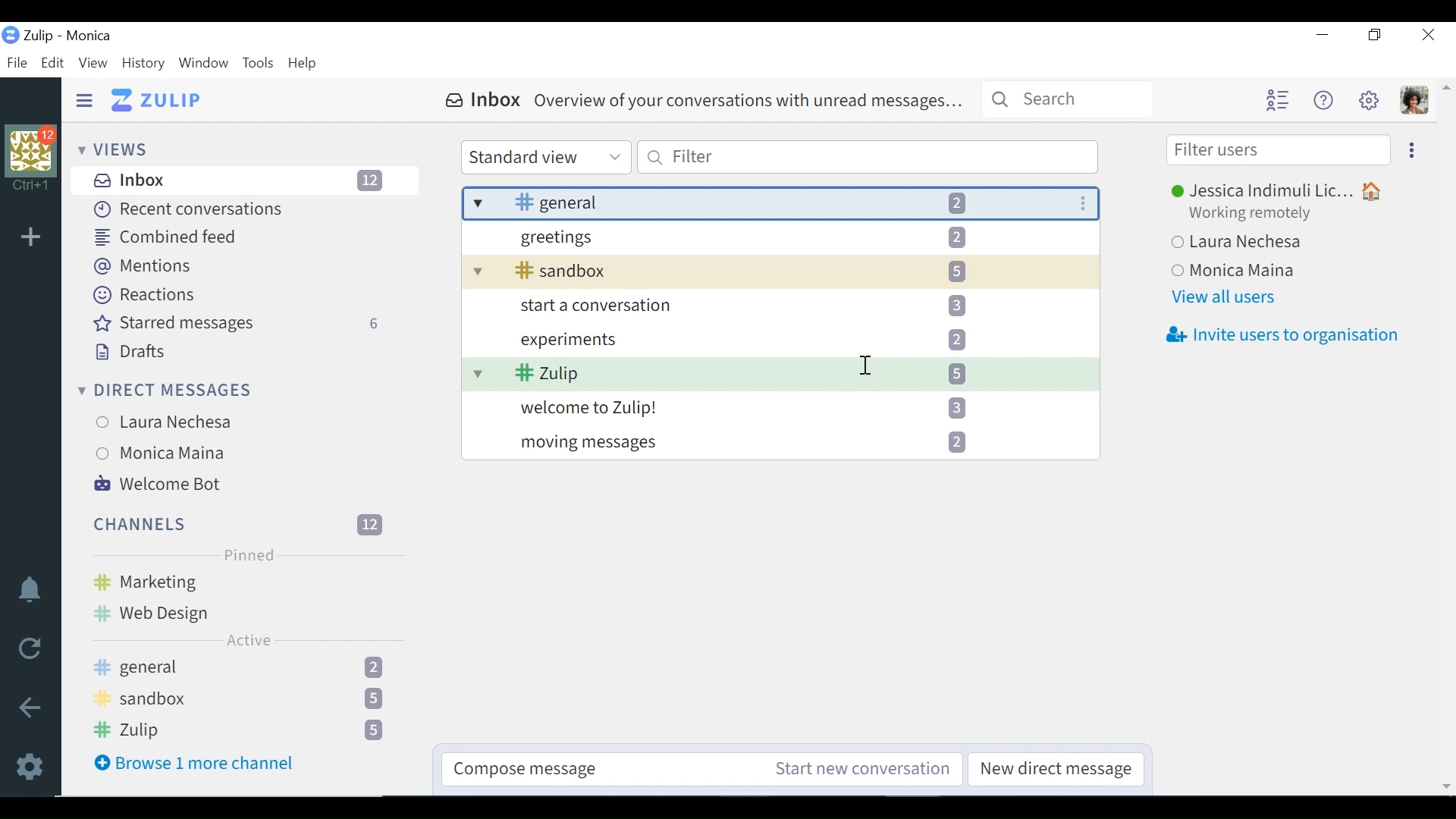  I want to click on welcome to Zulip!, so click(762, 409).